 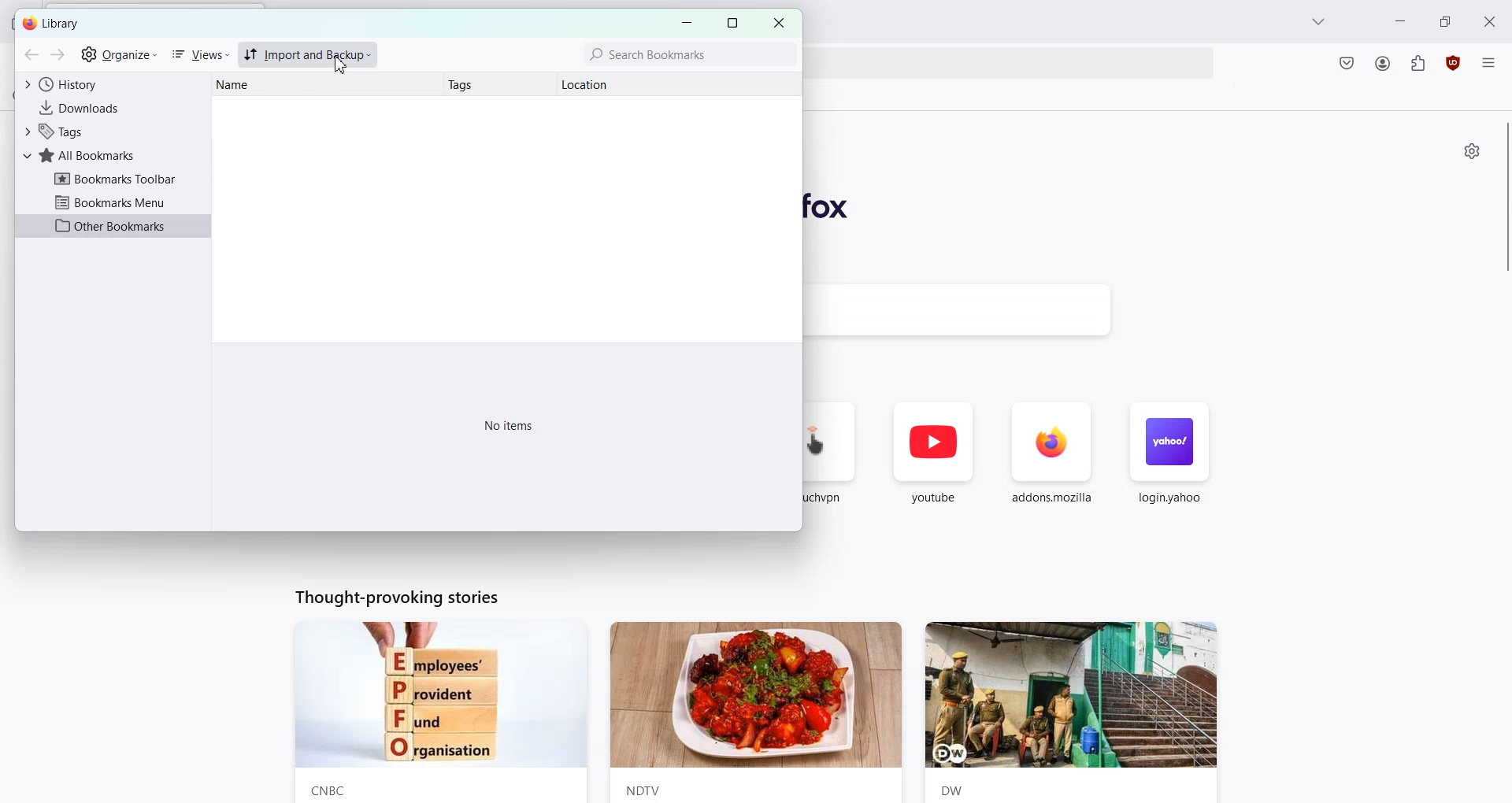 I want to click on Vertical Scroll bar, so click(x=1503, y=200).